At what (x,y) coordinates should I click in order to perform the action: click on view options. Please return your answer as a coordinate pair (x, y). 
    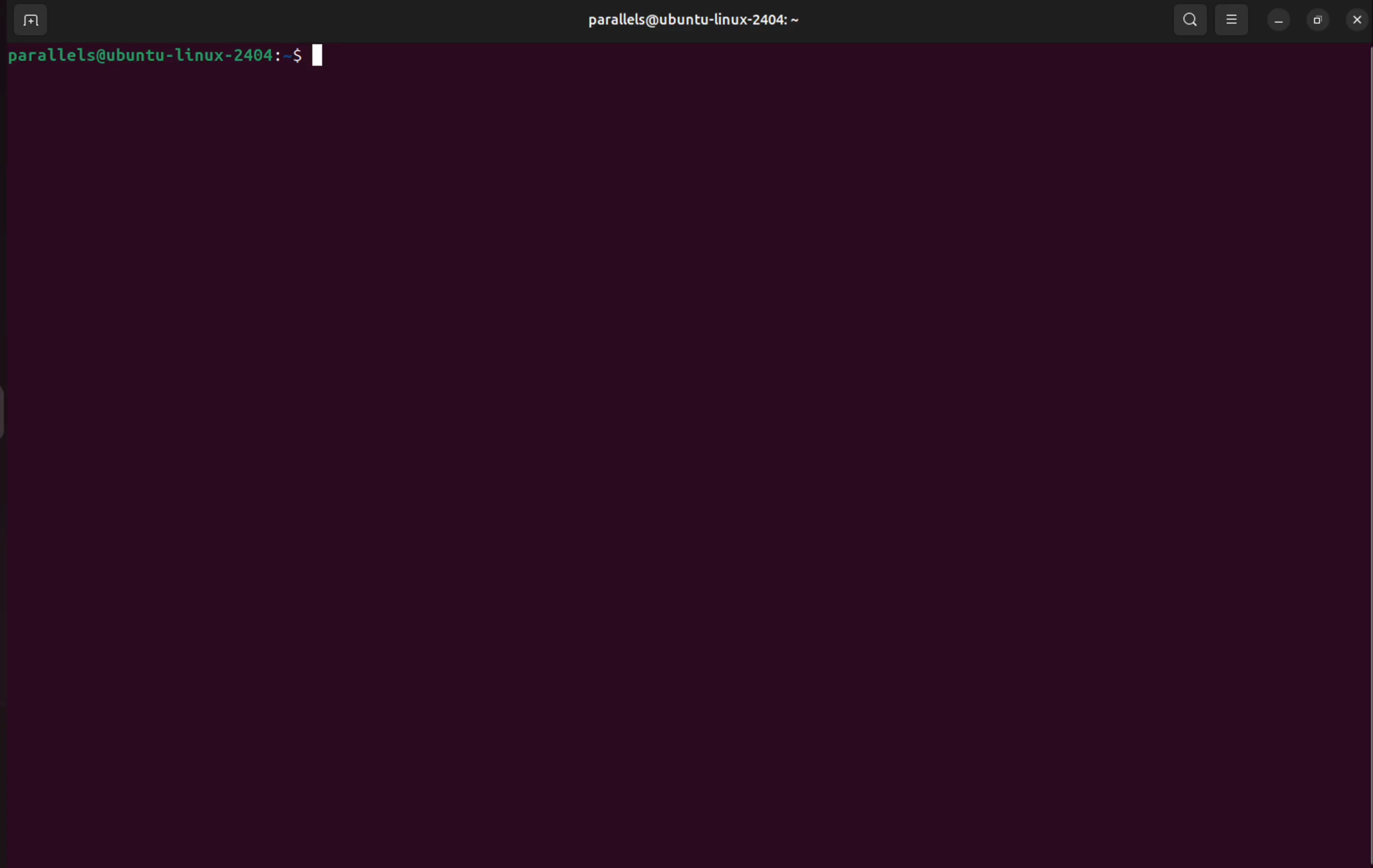
    Looking at the image, I should click on (1231, 21).